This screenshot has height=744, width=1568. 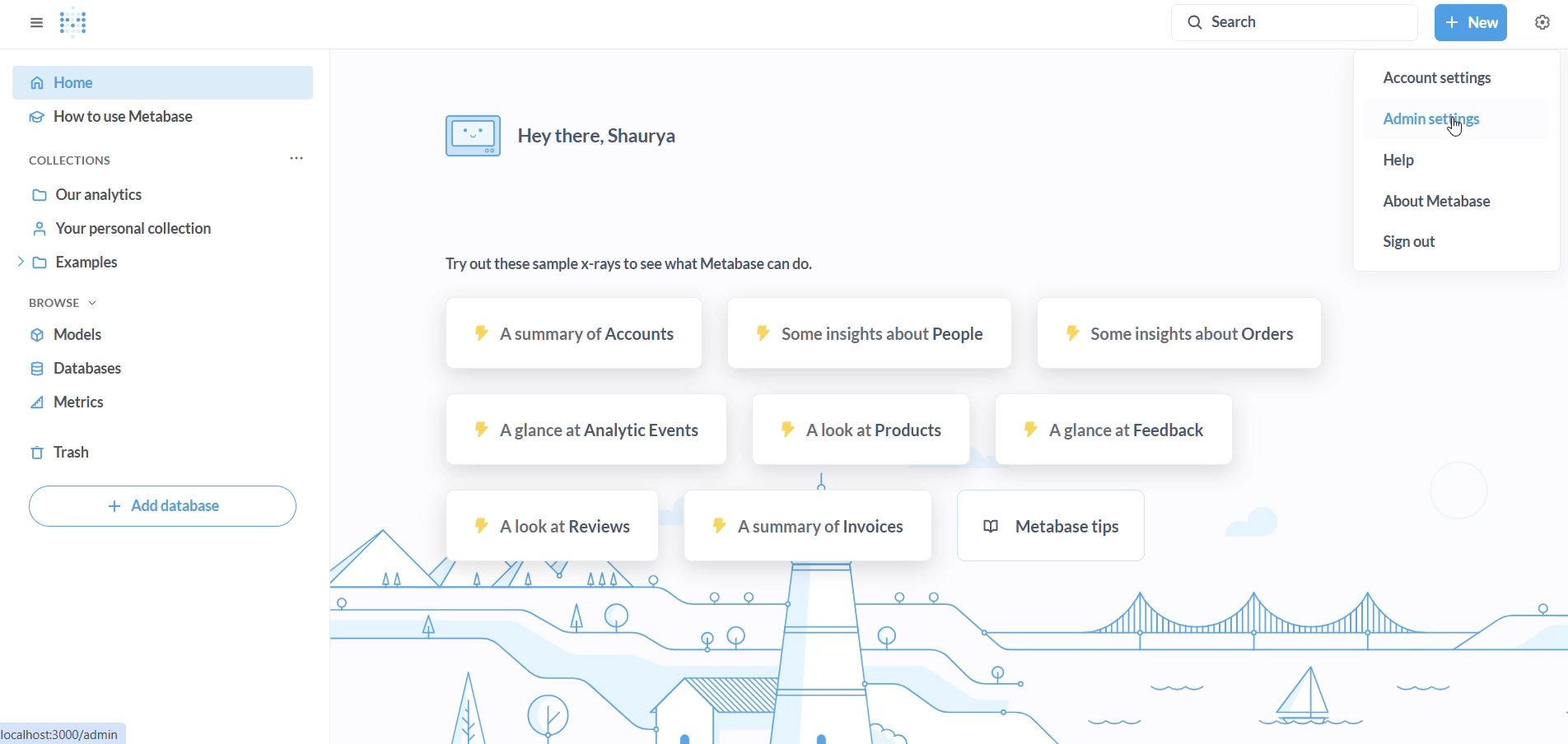 I want to click on about metabse, so click(x=1458, y=201).